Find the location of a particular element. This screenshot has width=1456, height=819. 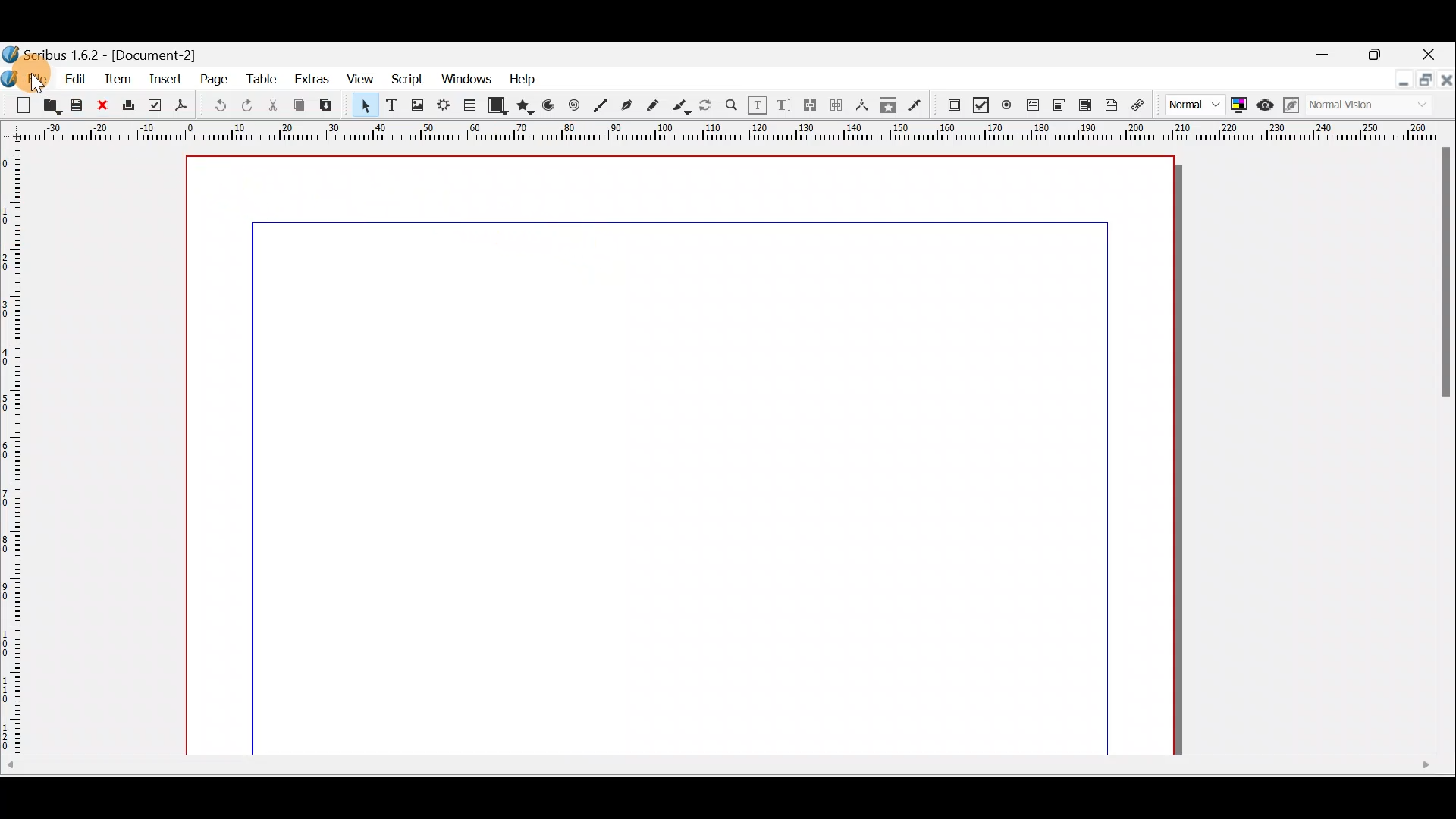

Edit is located at coordinates (76, 80).